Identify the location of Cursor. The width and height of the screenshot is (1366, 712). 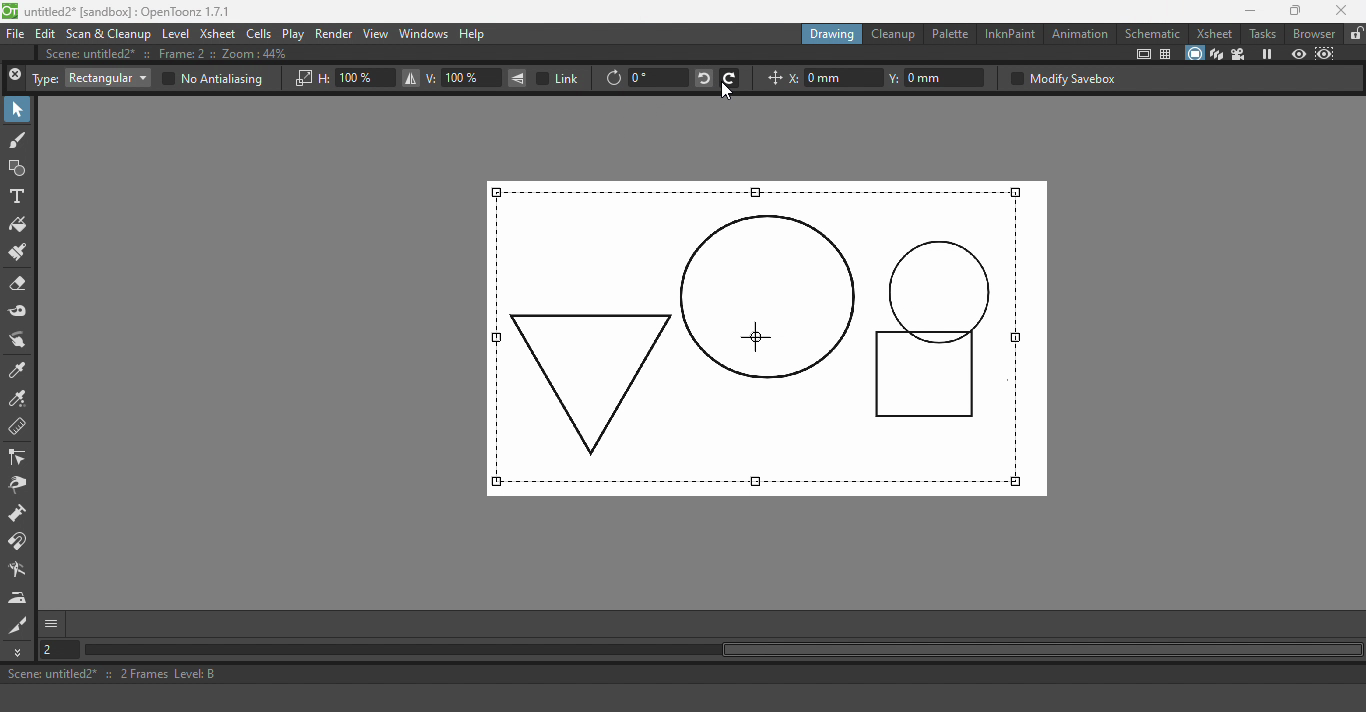
(725, 94).